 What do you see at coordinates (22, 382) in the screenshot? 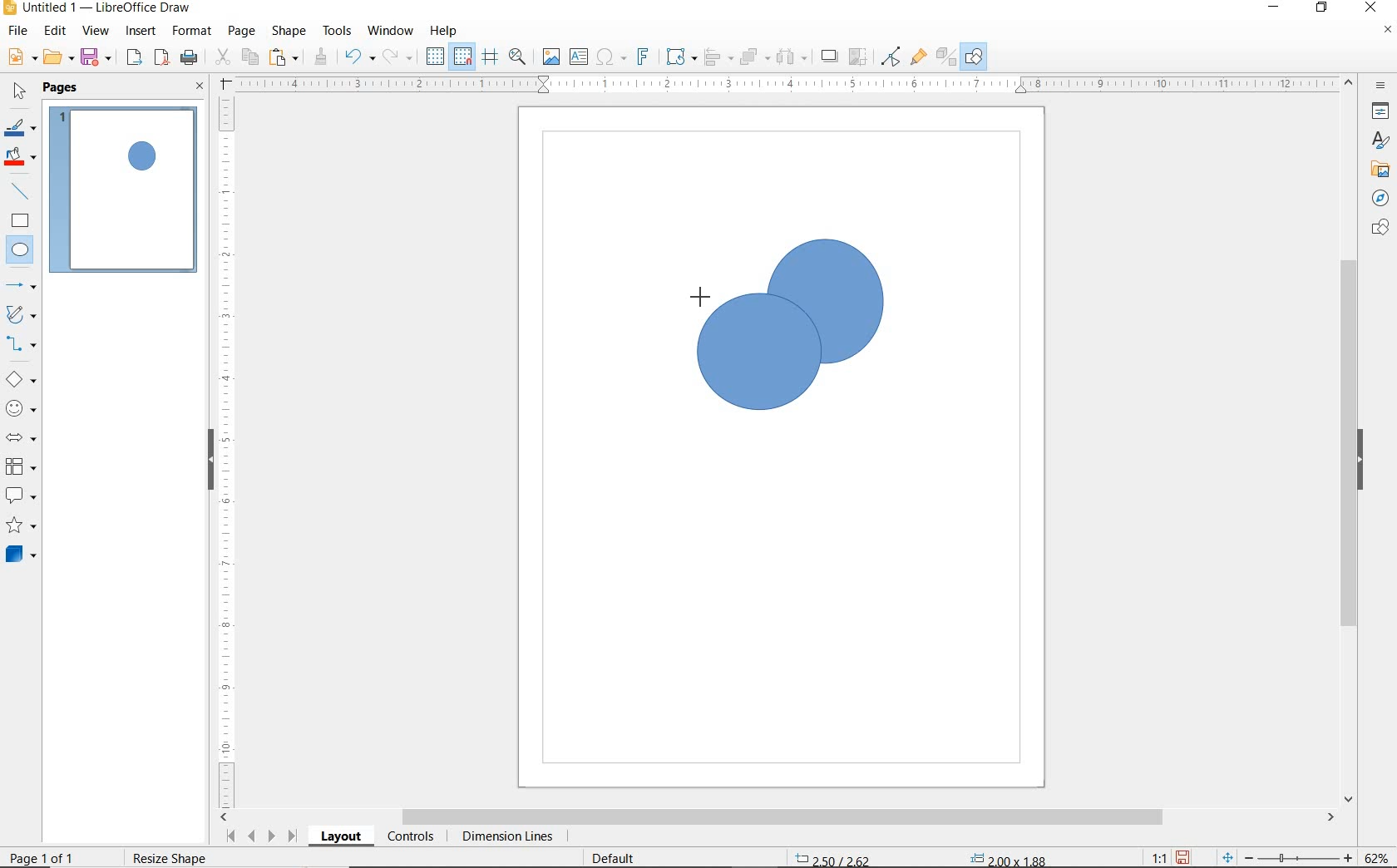
I see `BASIC SHAPES` at bounding box center [22, 382].